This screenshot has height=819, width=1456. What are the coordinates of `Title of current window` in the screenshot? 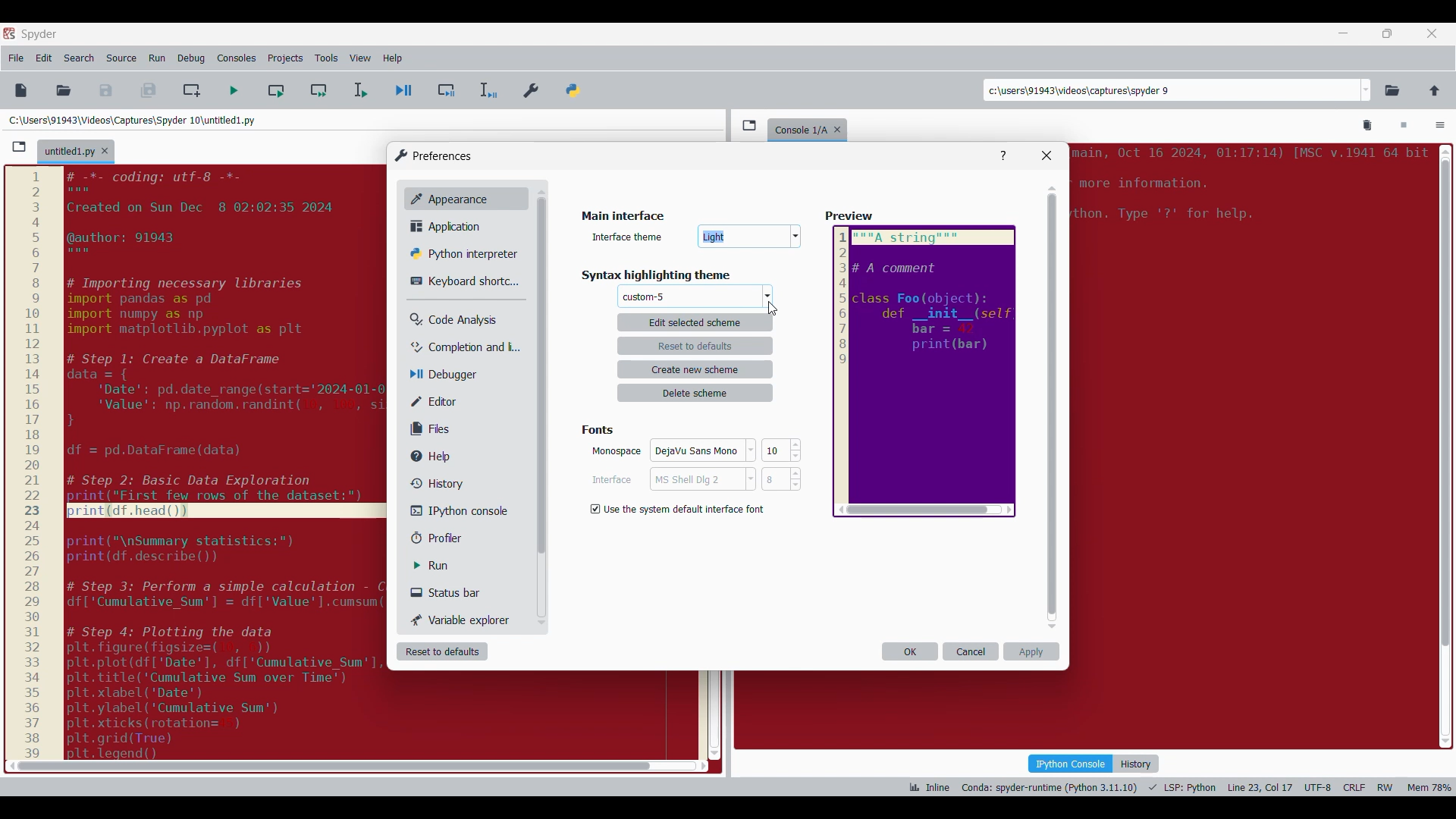 It's located at (621, 217).